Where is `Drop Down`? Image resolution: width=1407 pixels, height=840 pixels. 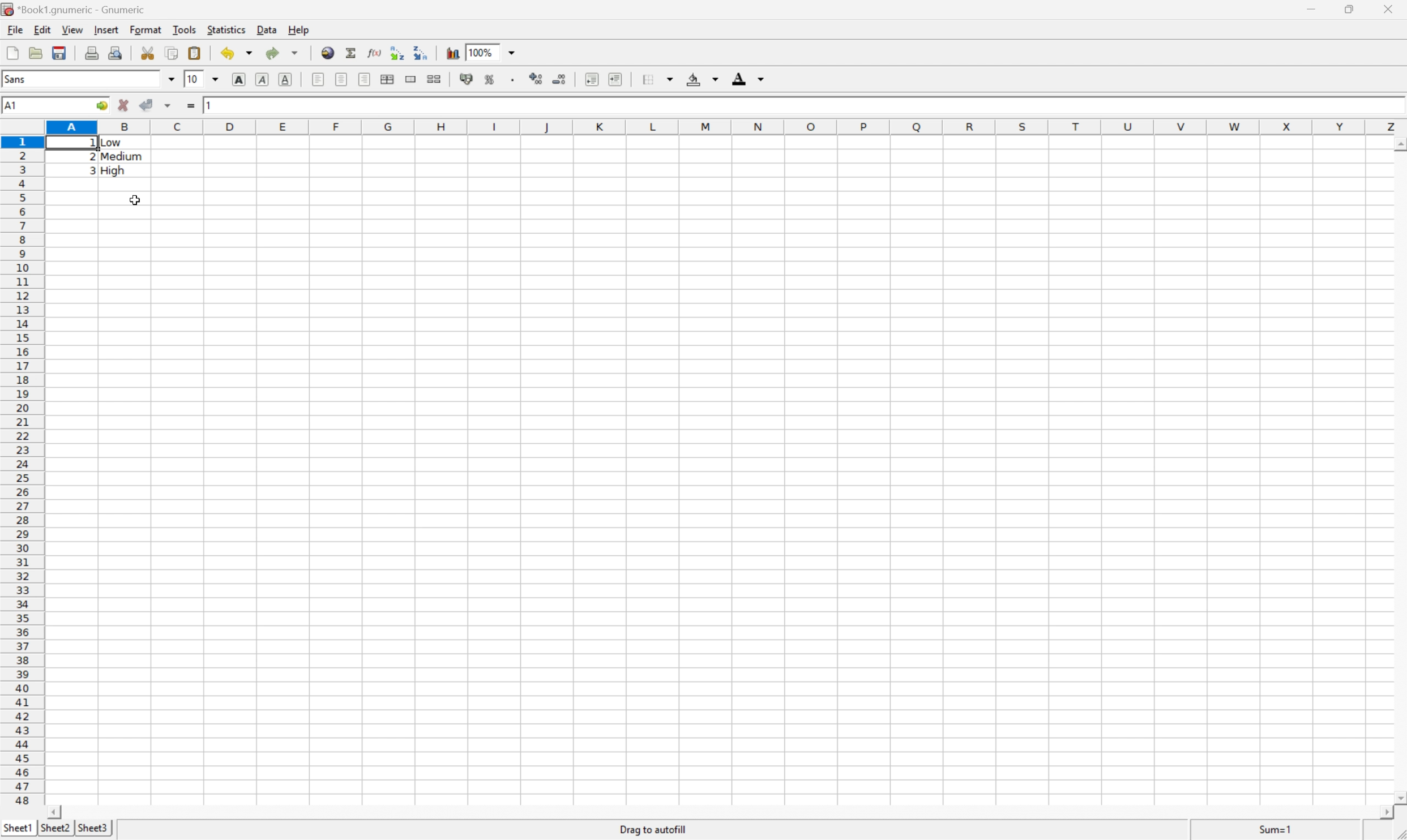 Drop Down is located at coordinates (215, 80).